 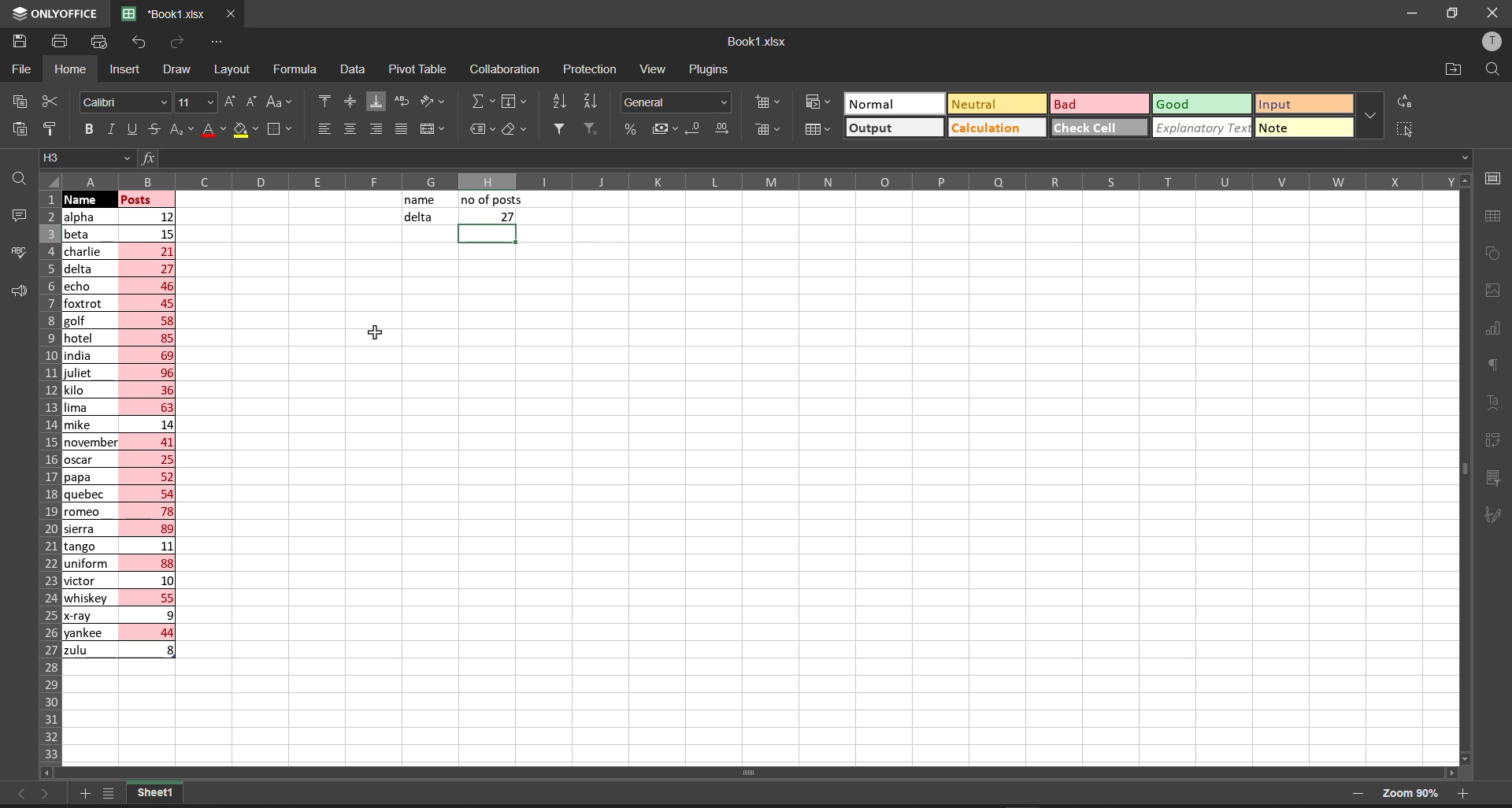 What do you see at coordinates (658, 128) in the screenshot?
I see `accounting style` at bounding box center [658, 128].